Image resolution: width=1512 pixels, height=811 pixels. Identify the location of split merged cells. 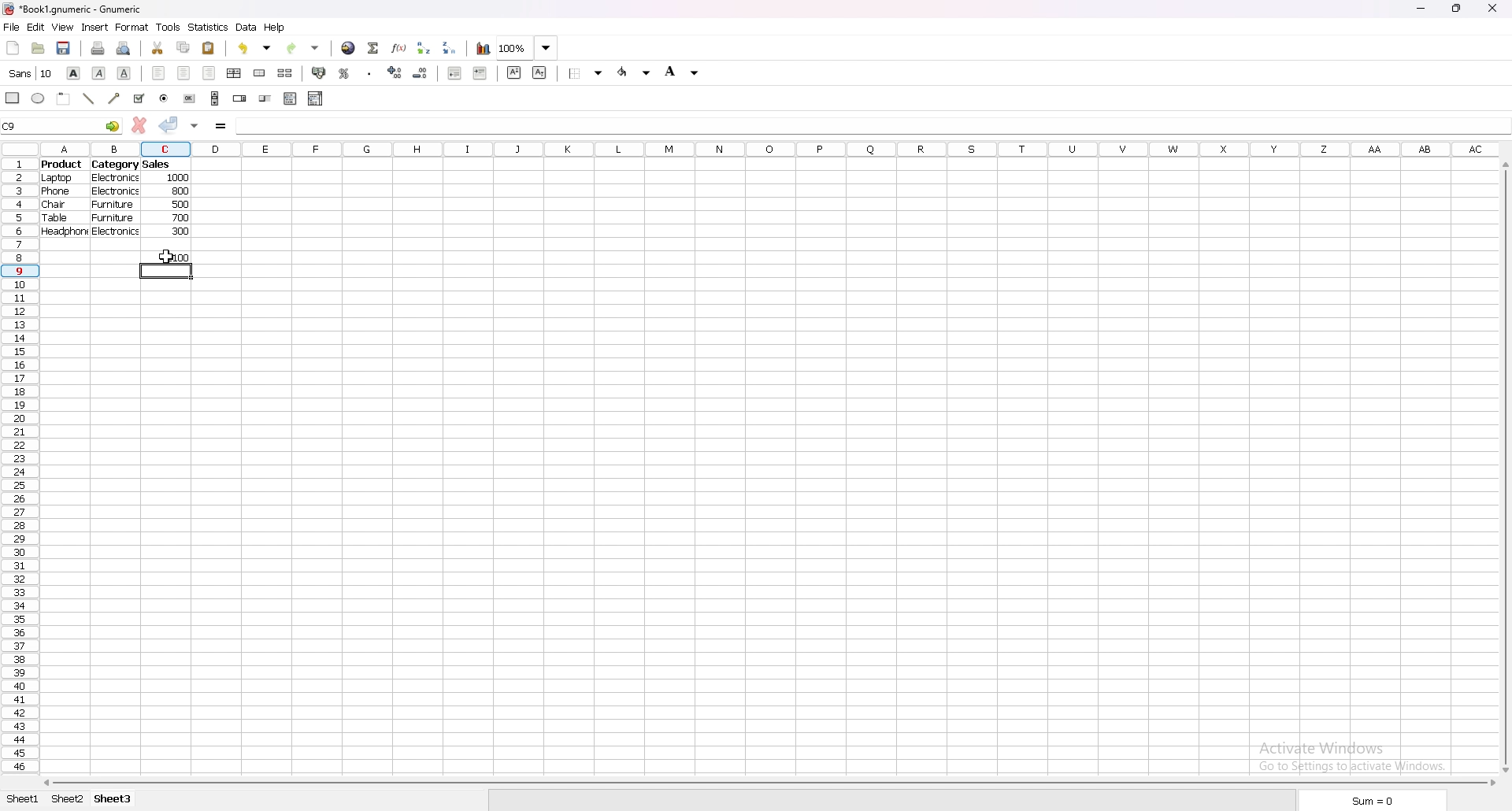
(286, 73).